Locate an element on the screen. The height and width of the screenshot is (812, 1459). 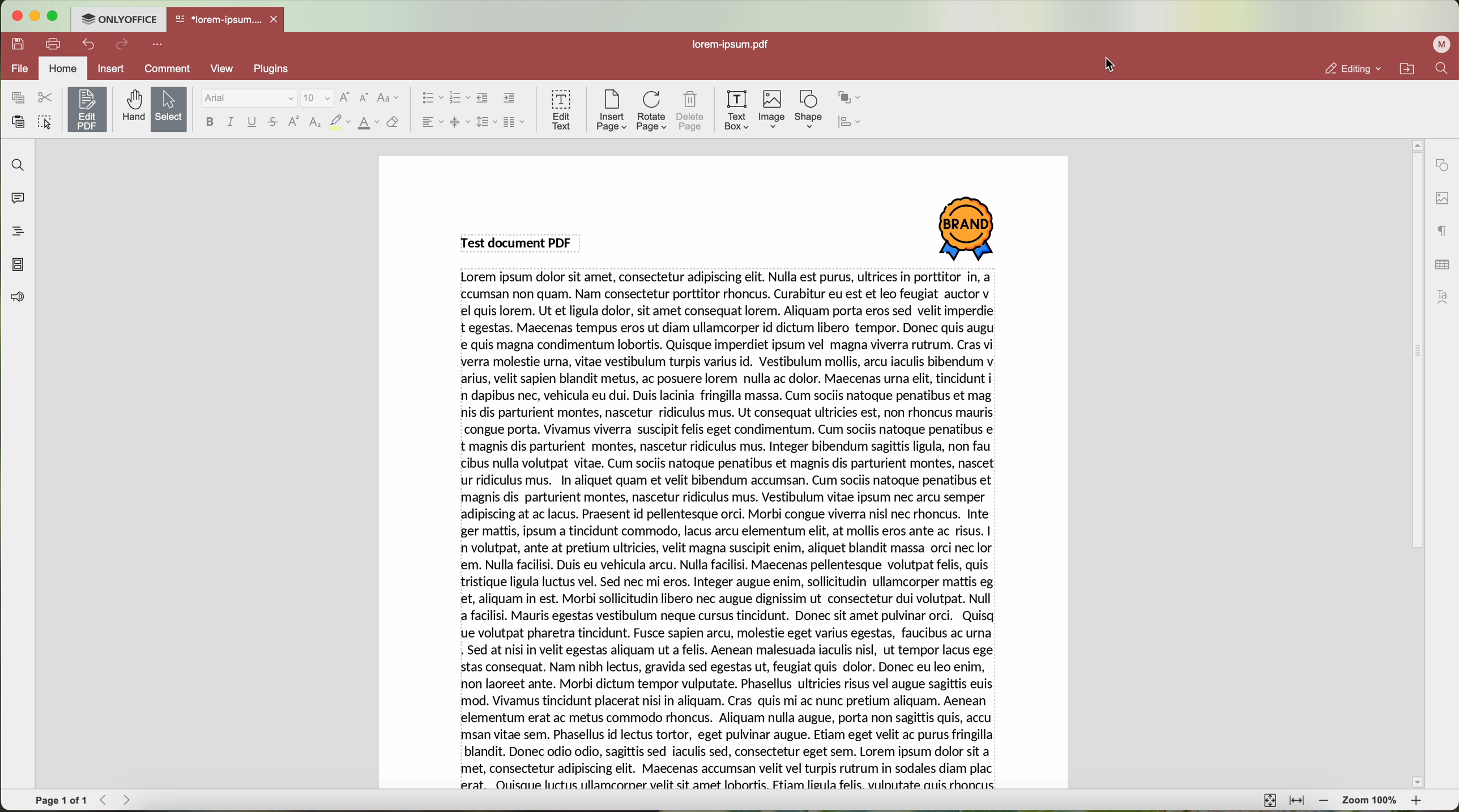
bullet list is located at coordinates (429, 99).